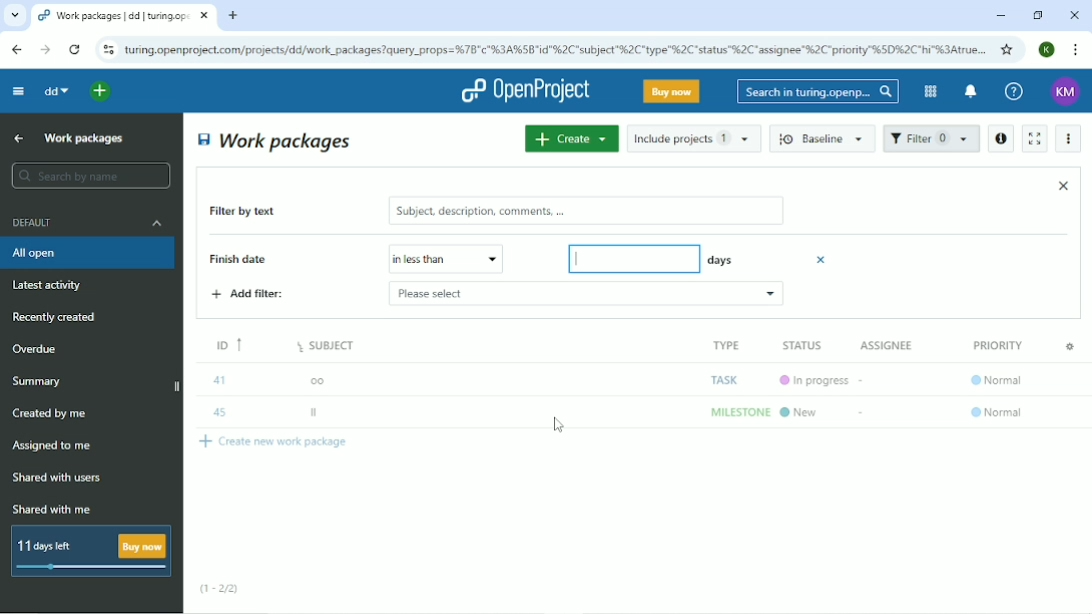 Image resolution: width=1092 pixels, height=614 pixels. What do you see at coordinates (808, 346) in the screenshot?
I see `STATUS` at bounding box center [808, 346].